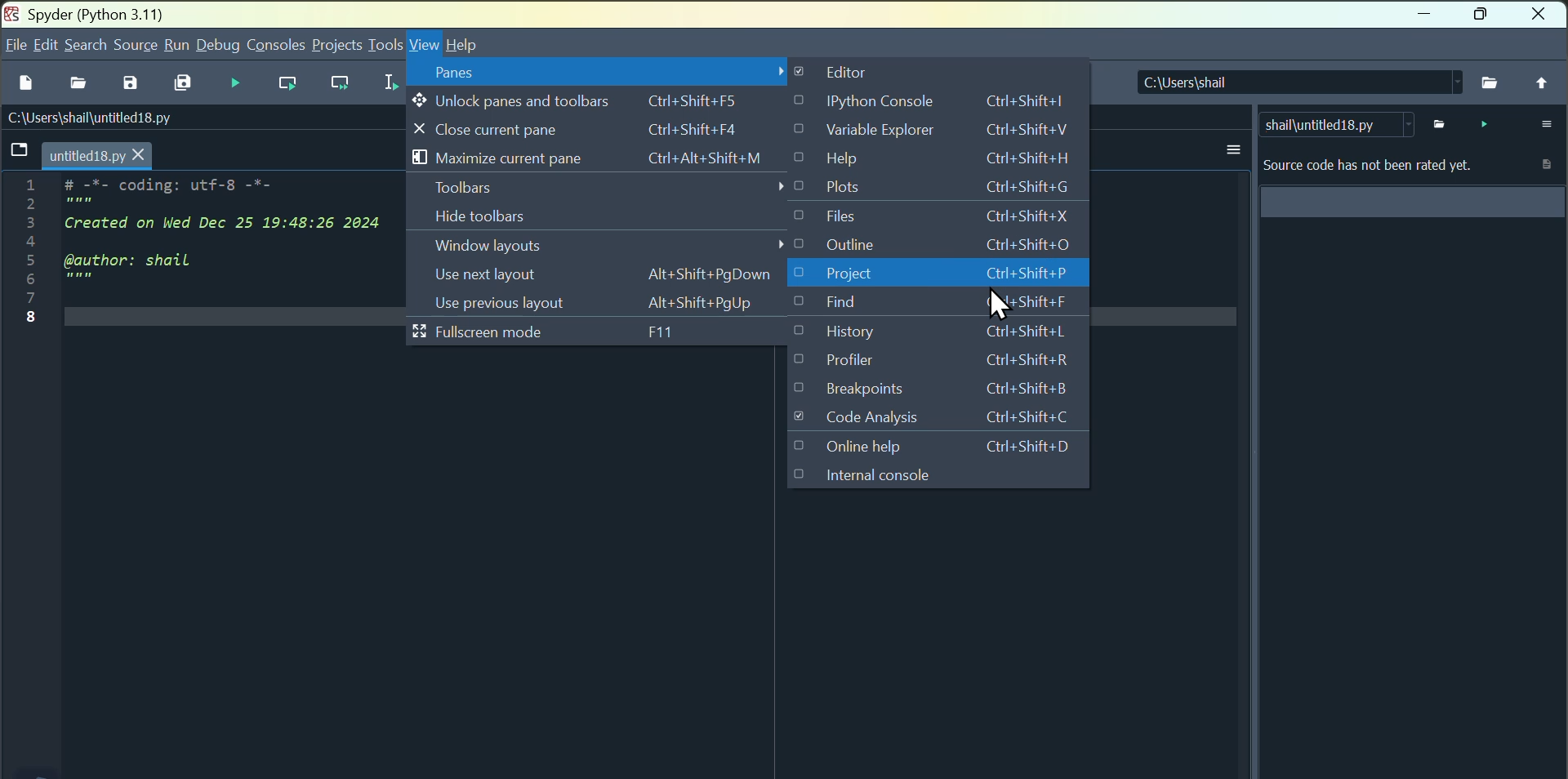 The height and width of the screenshot is (779, 1568). I want to click on find, so click(931, 304).